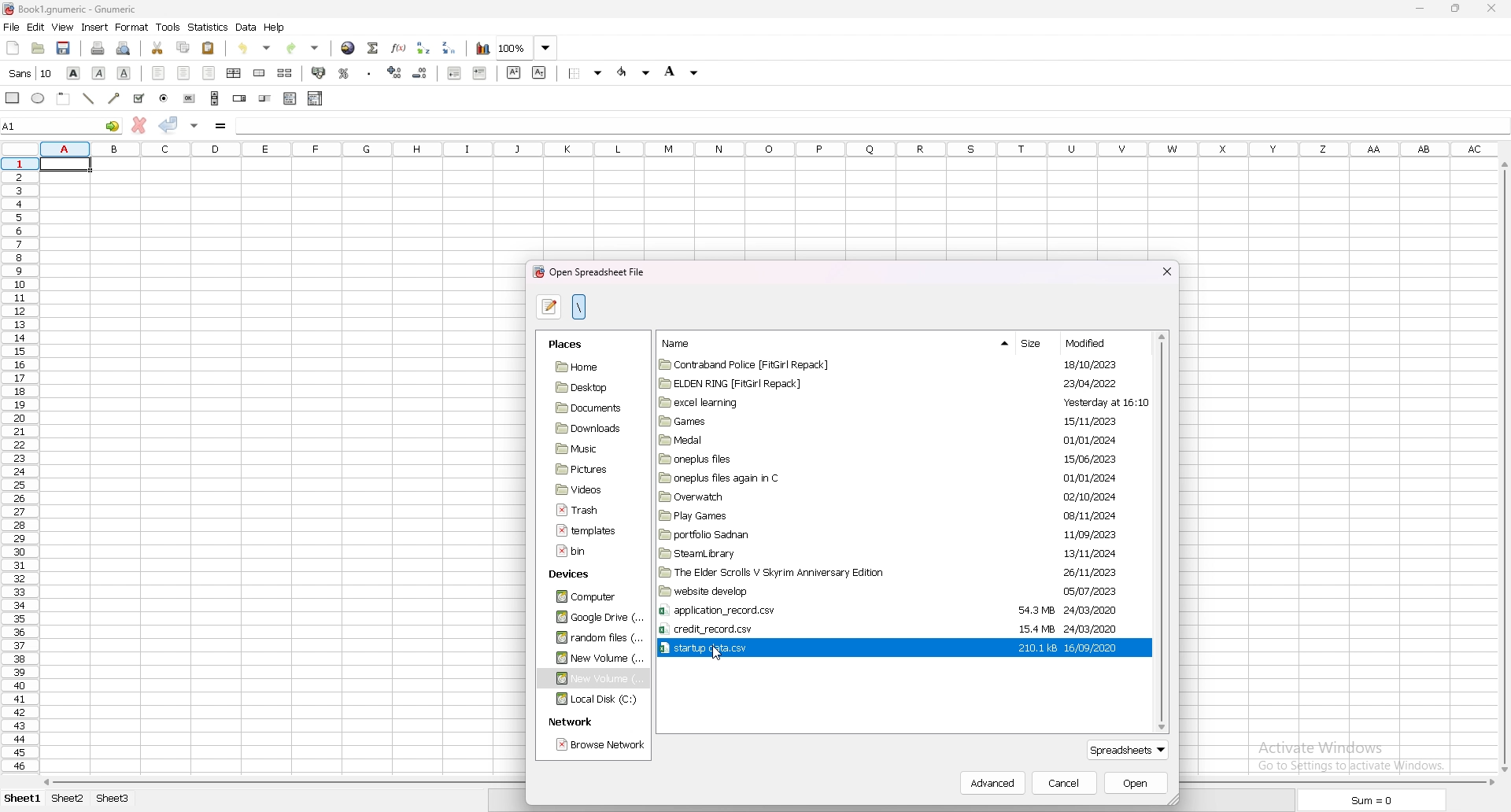 The image size is (1511, 812). Describe the element at coordinates (1088, 495) in the screenshot. I see `02/10/2024` at that location.